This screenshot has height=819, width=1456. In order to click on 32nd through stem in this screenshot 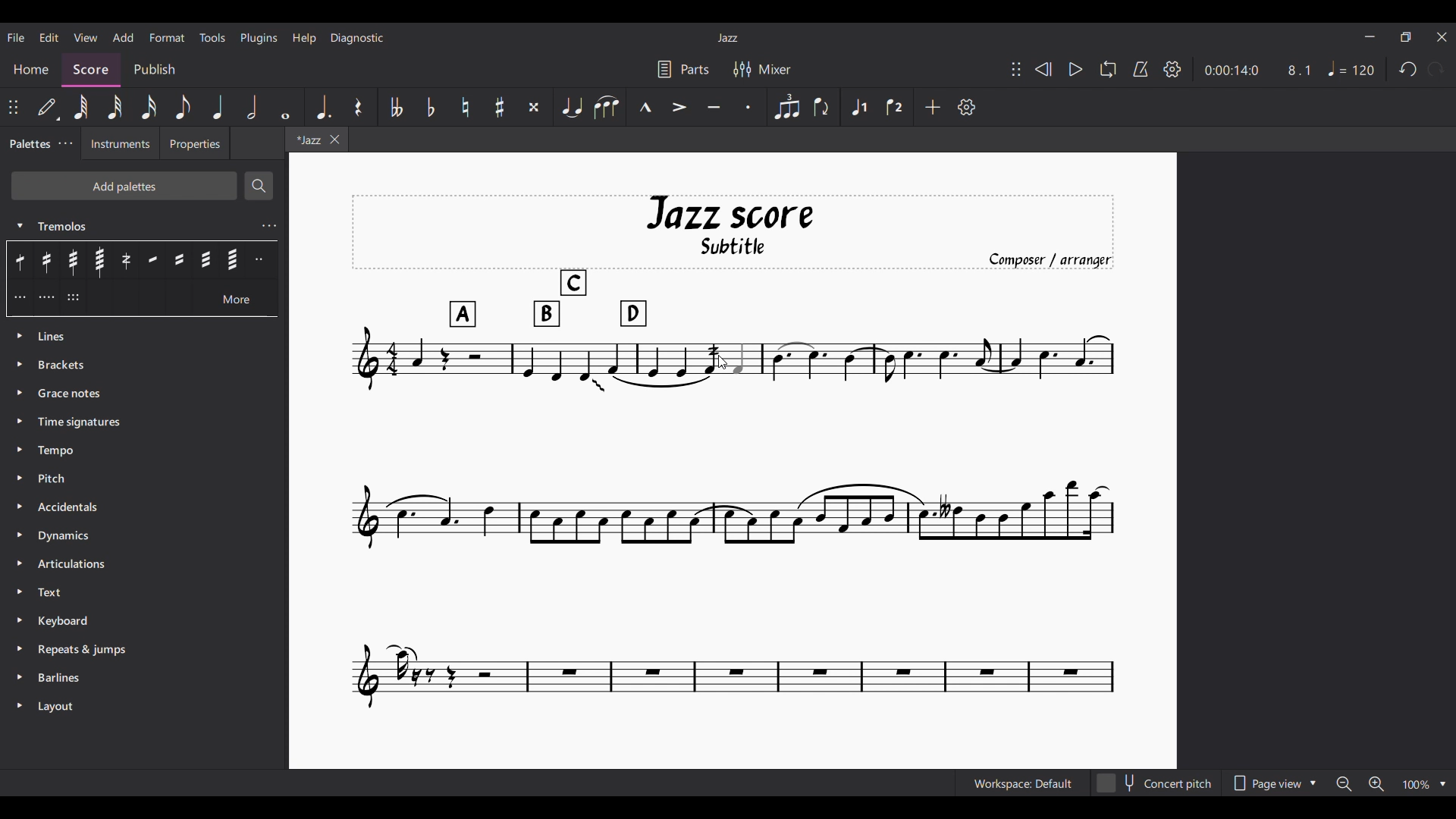, I will do `click(73, 260)`.